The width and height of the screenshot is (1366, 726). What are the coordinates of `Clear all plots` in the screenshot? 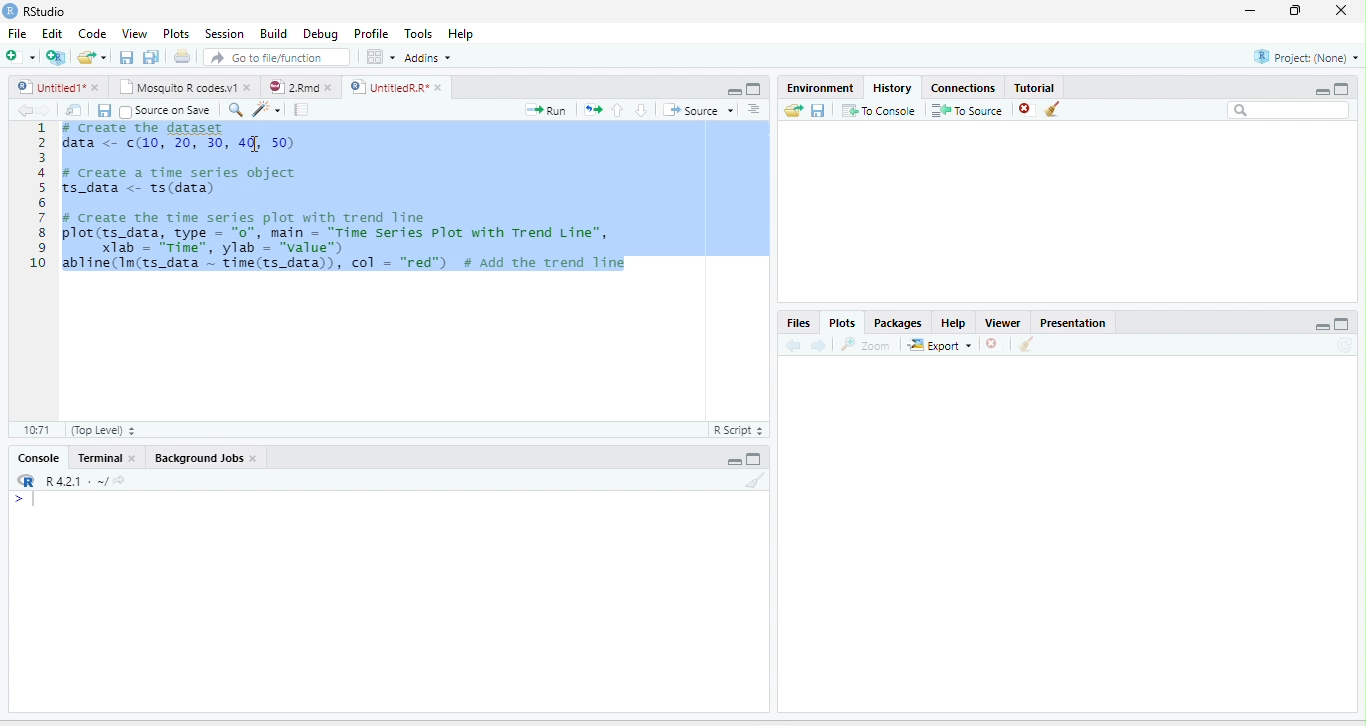 It's located at (1027, 344).